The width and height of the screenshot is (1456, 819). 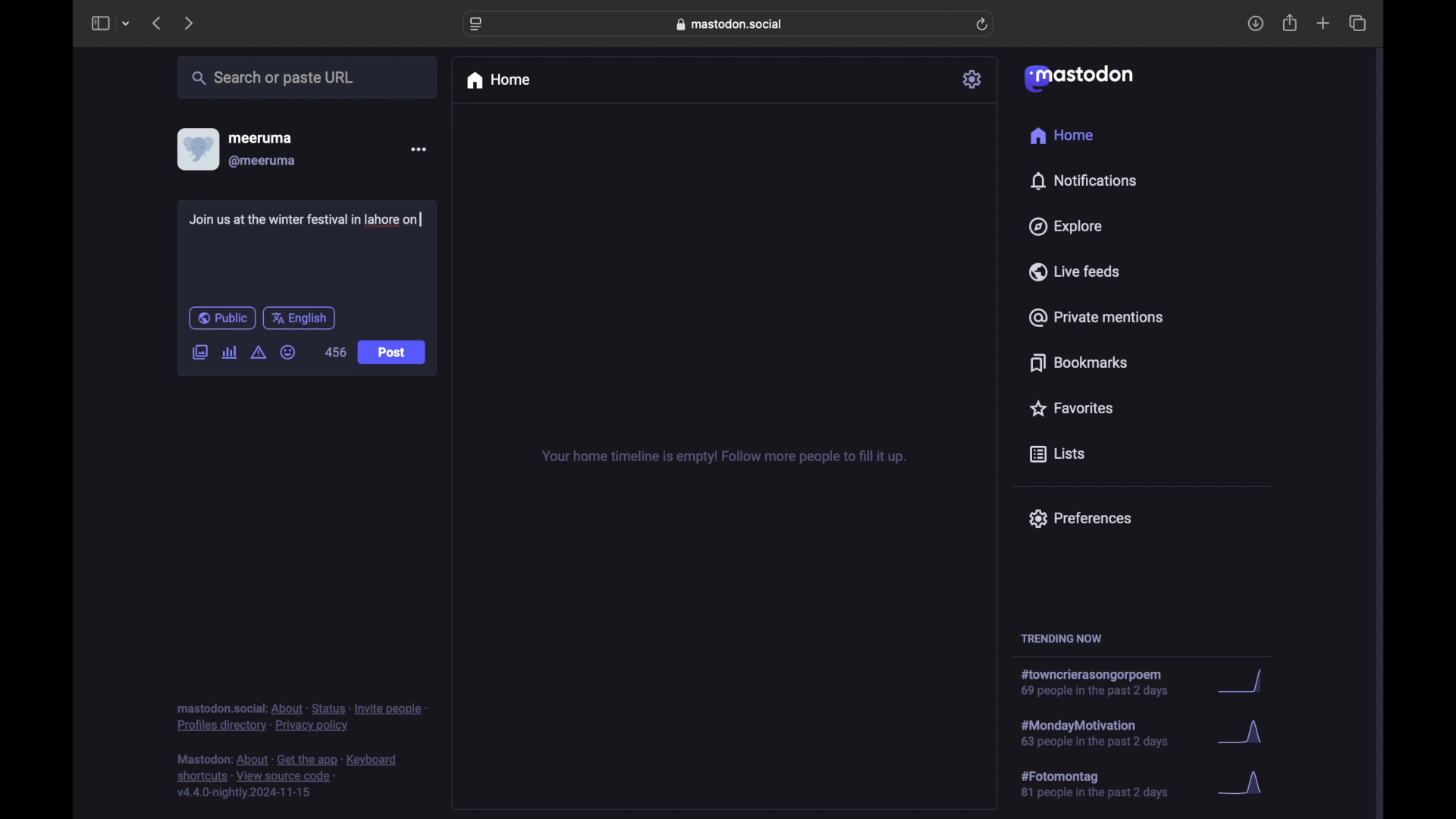 I want to click on show tab overview, so click(x=1357, y=24).